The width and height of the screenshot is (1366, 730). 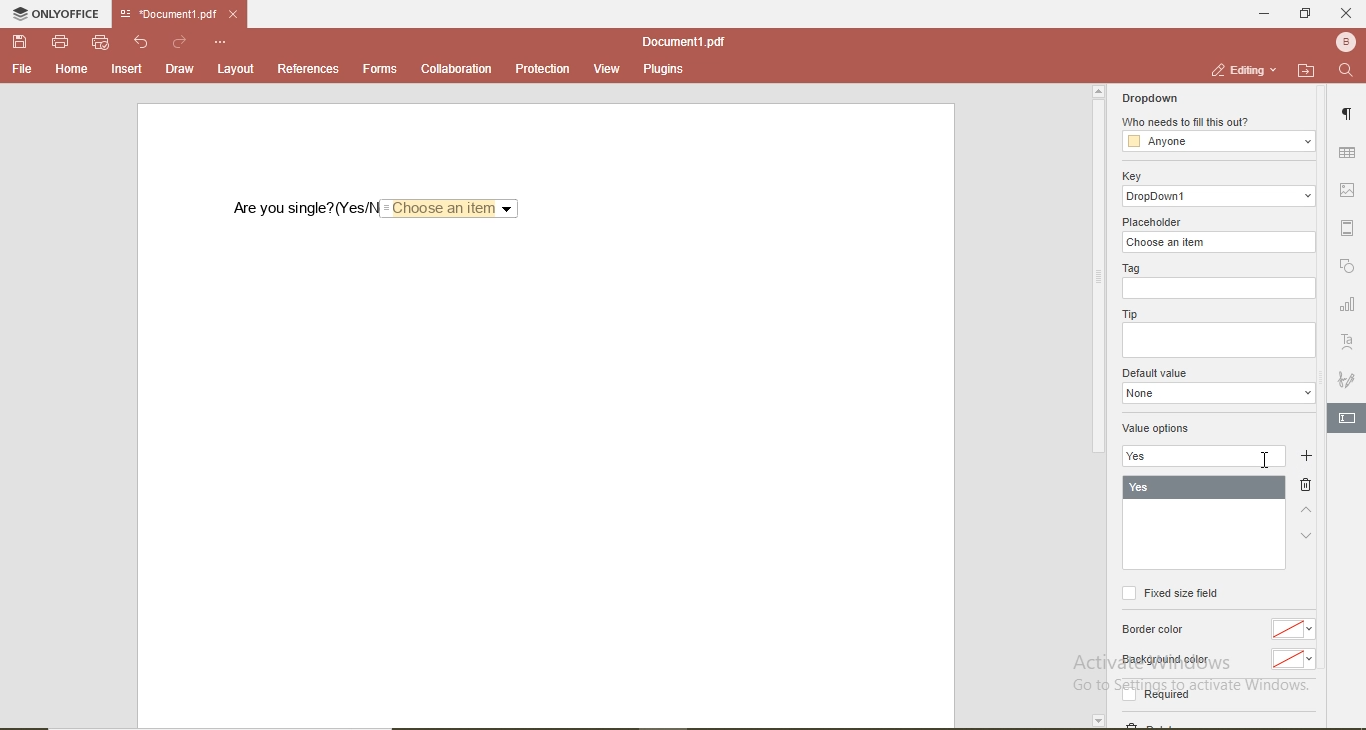 What do you see at coordinates (1310, 510) in the screenshot?
I see `up` at bounding box center [1310, 510].